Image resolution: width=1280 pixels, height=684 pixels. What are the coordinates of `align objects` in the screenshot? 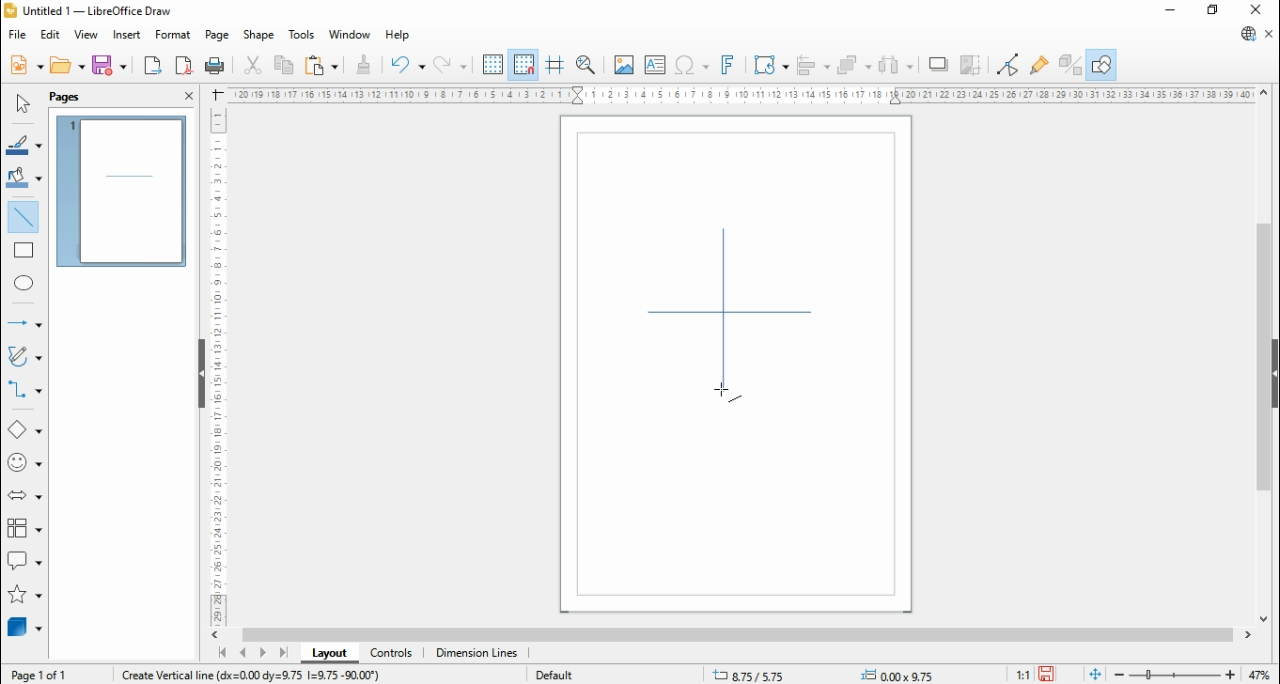 It's located at (815, 64).